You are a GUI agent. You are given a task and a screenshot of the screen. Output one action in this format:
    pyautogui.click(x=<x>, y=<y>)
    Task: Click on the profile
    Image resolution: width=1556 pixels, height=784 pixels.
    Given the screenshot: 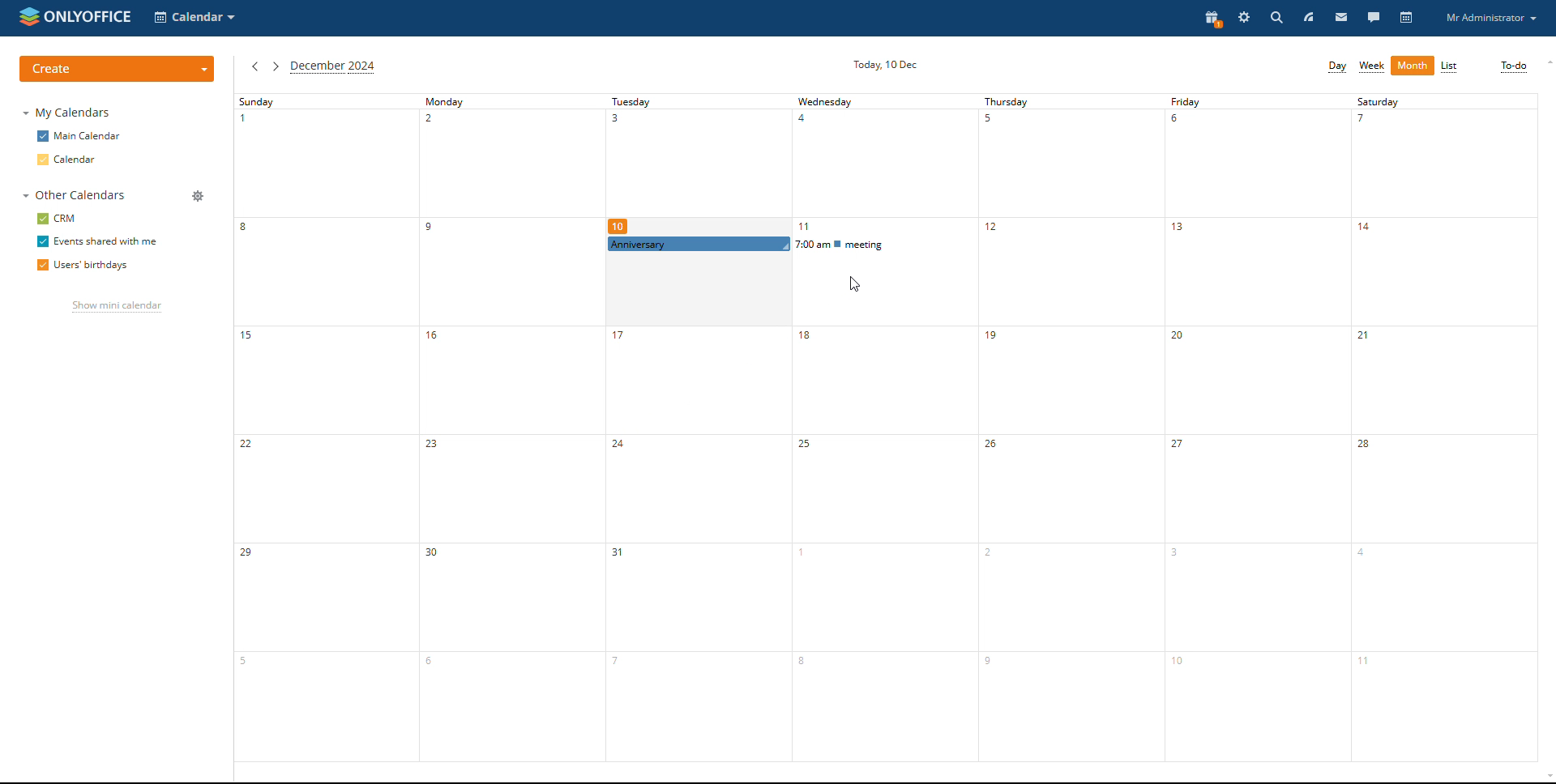 What is the action you would take?
    pyautogui.click(x=1493, y=18)
    